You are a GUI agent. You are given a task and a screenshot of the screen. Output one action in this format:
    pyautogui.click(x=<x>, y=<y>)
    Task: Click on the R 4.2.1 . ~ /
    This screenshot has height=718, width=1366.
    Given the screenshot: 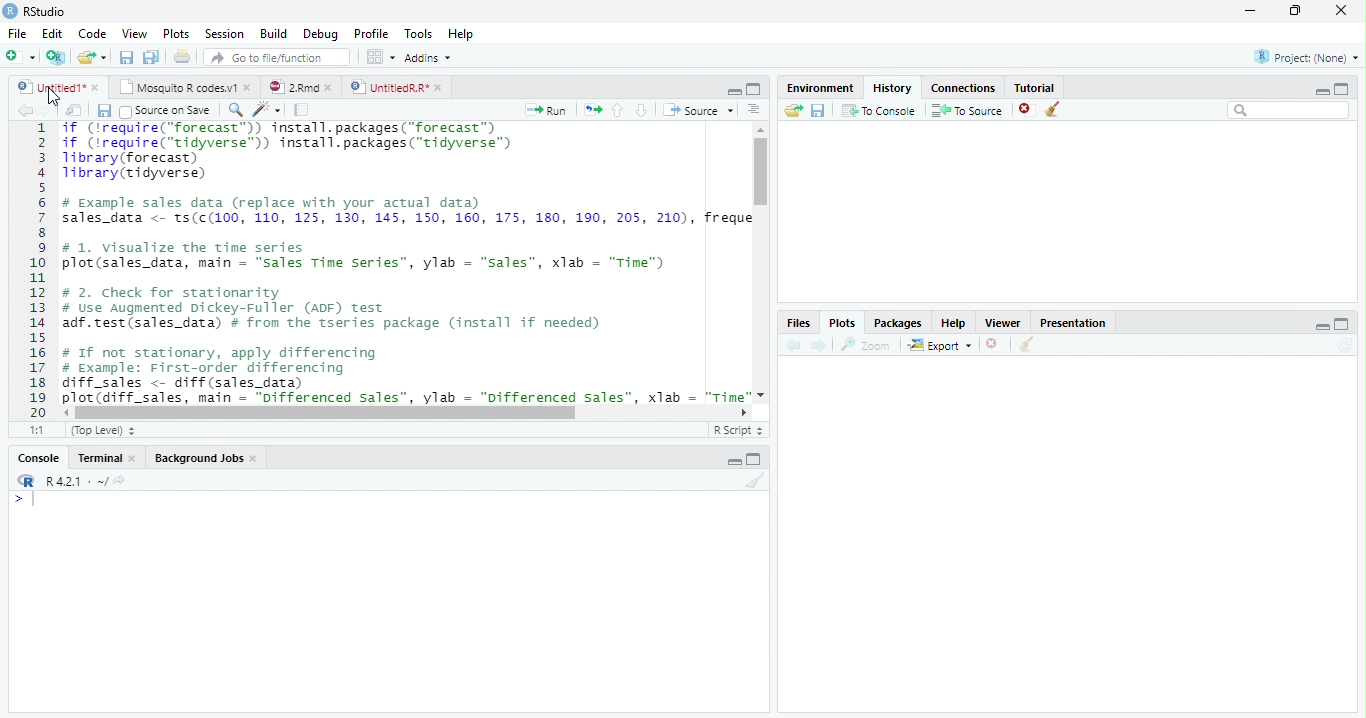 What is the action you would take?
    pyautogui.click(x=76, y=482)
    